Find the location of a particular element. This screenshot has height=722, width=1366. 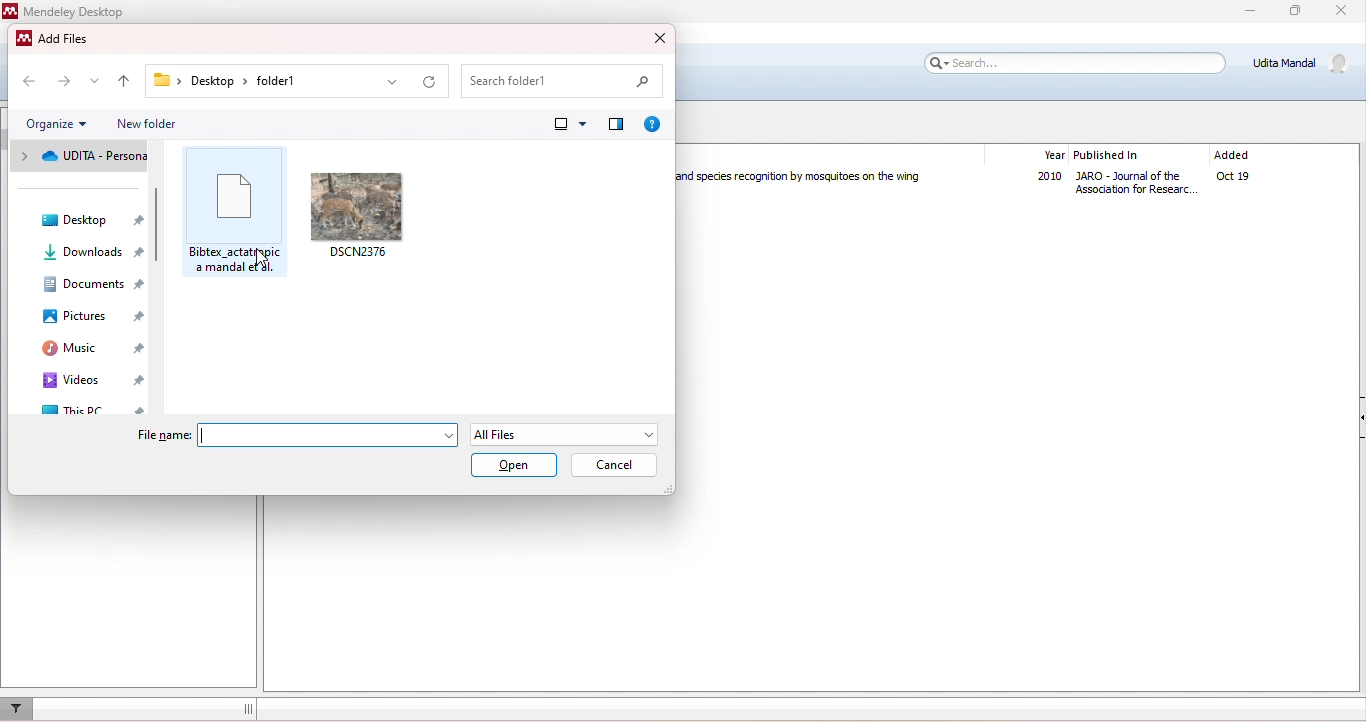

videos is located at coordinates (92, 383).